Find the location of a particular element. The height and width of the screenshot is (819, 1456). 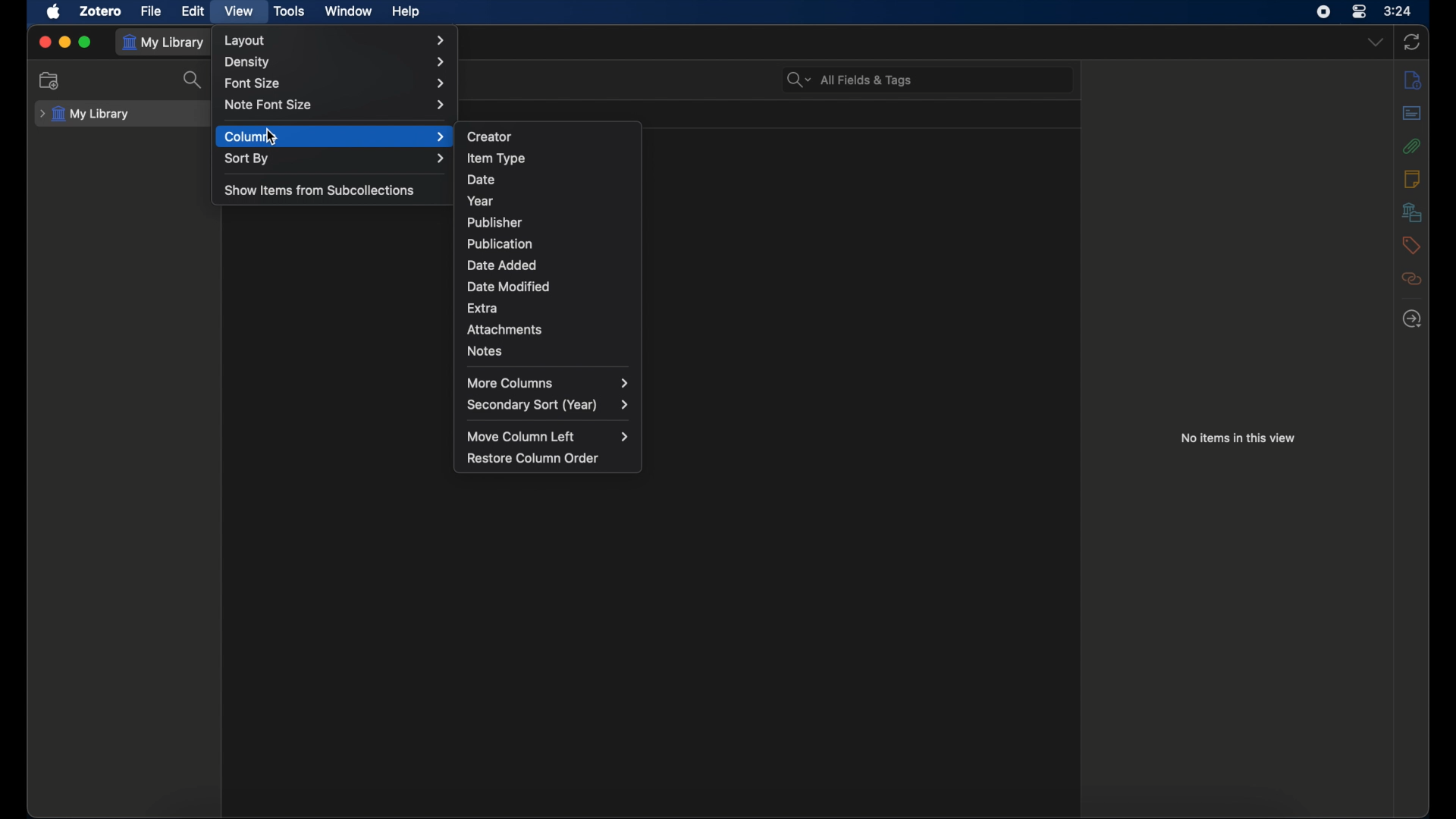

note font size is located at coordinates (337, 105).